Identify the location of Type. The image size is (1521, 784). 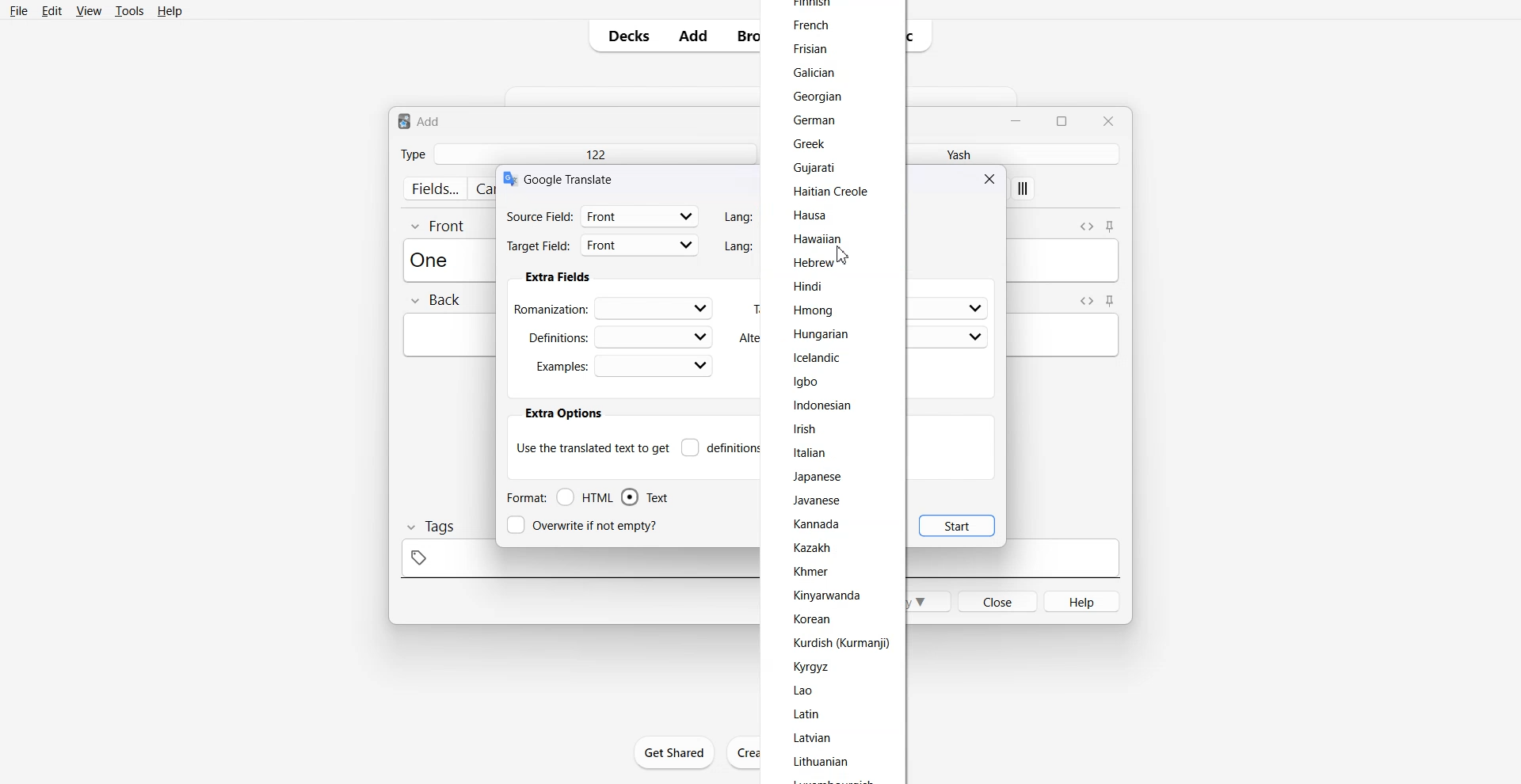
(413, 154).